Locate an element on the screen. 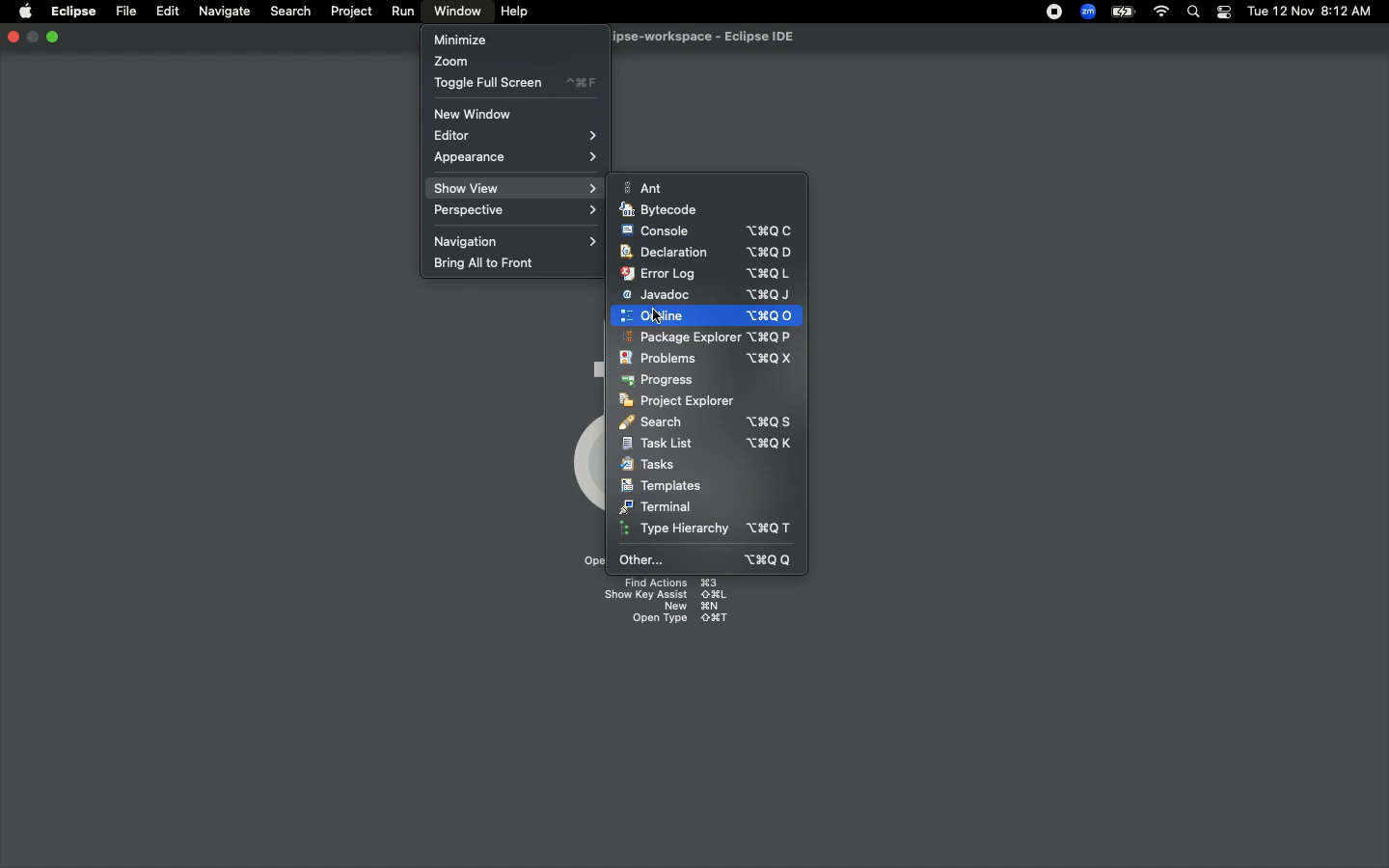 This screenshot has width=1389, height=868. Show view is located at coordinates (513, 187).